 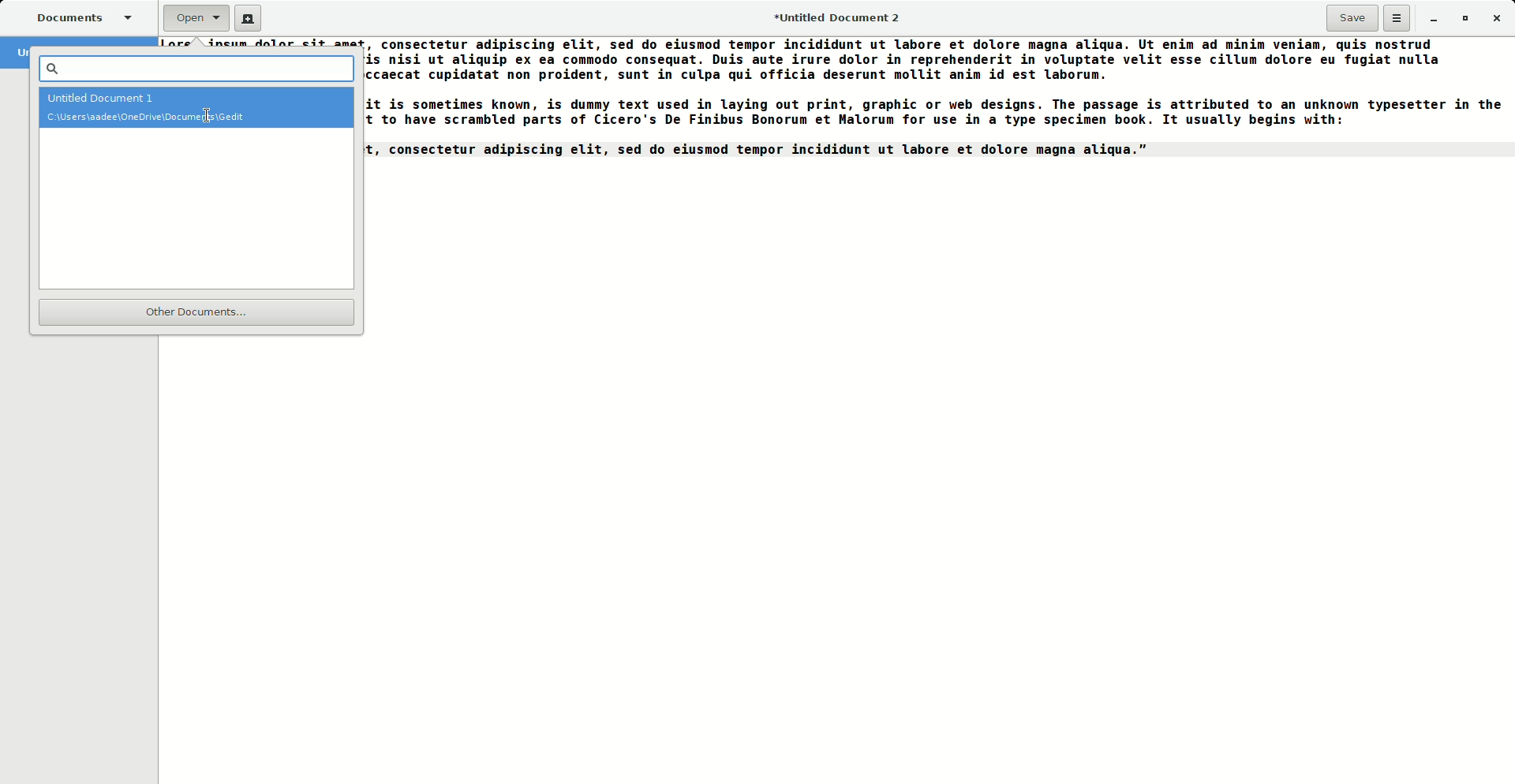 I want to click on File path, so click(x=196, y=119).